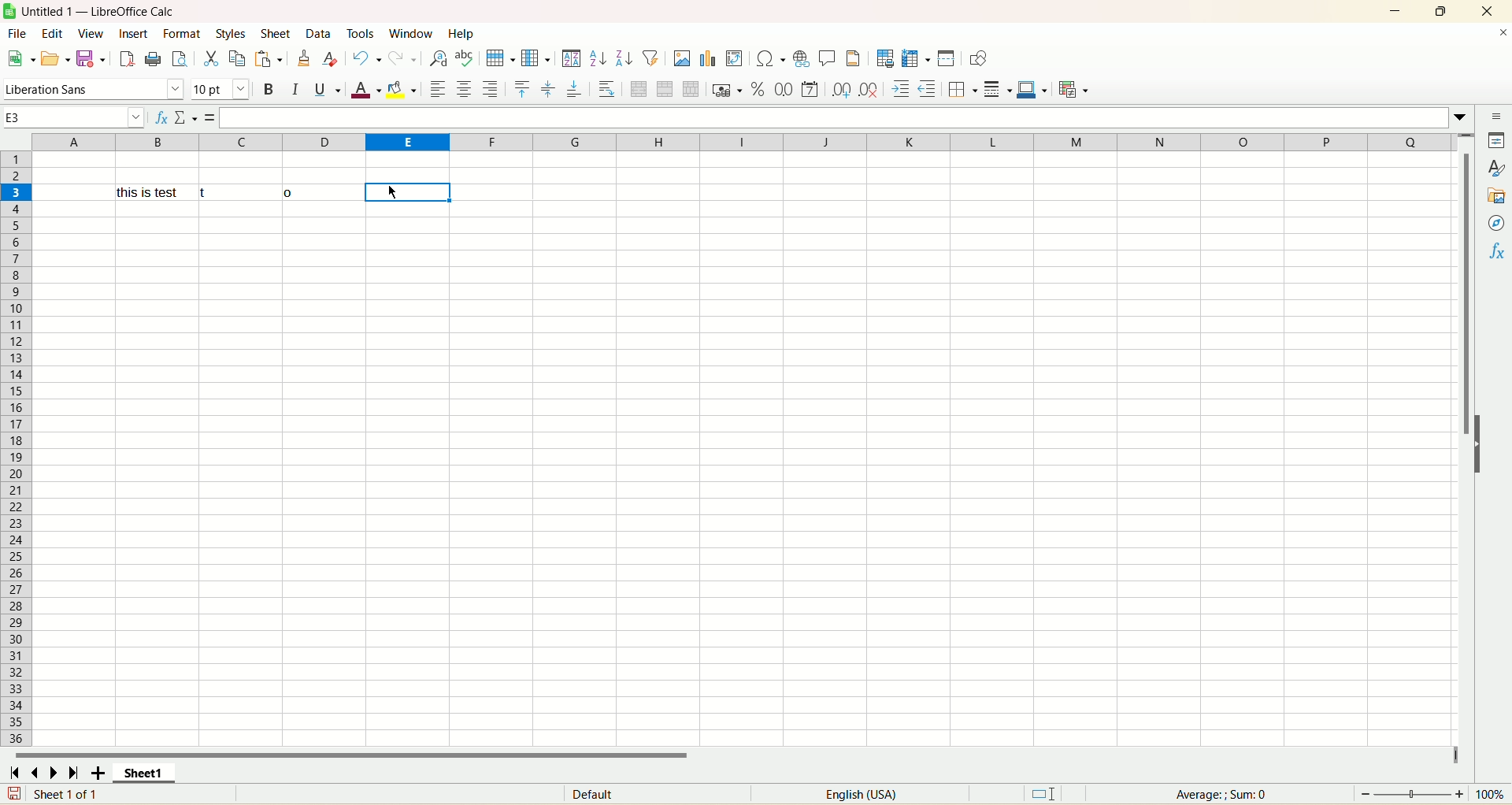  Describe the element at coordinates (734, 751) in the screenshot. I see `horizontal scroll bar` at that location.